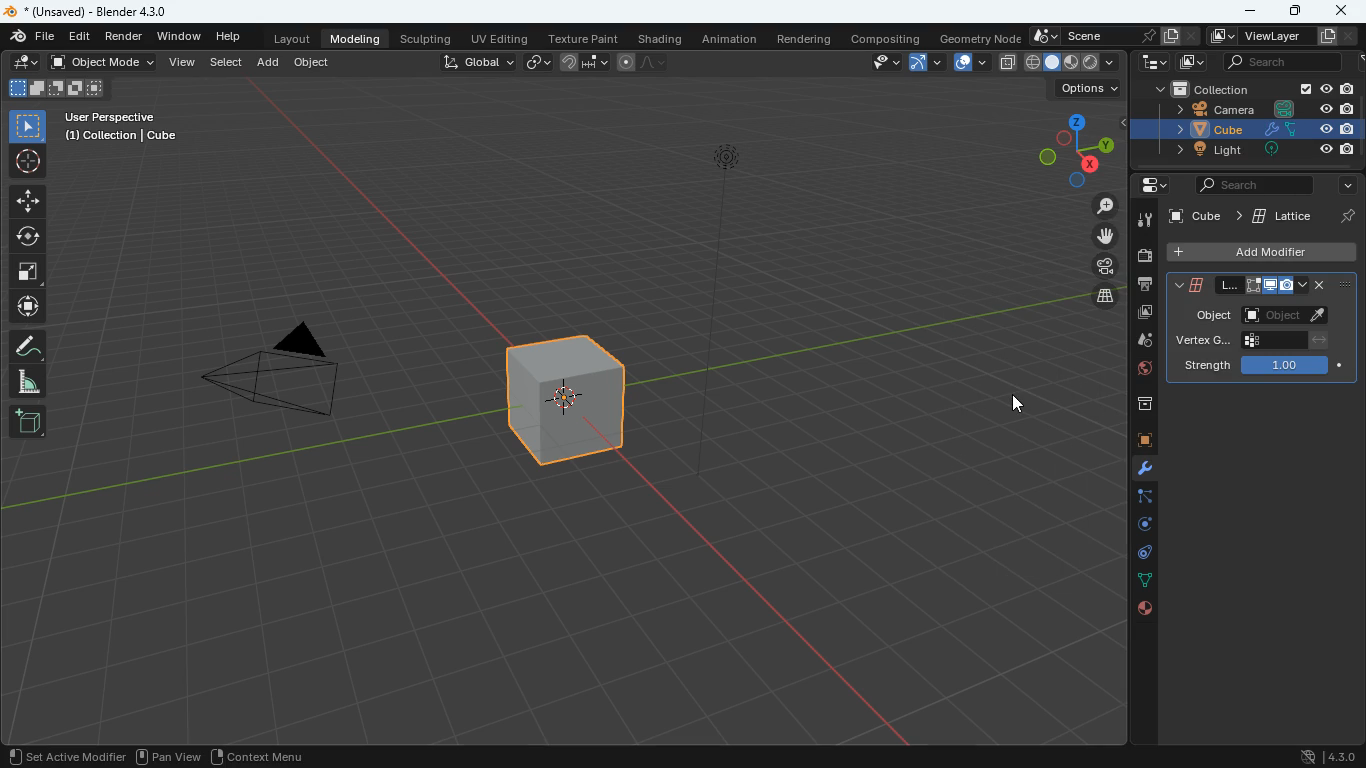 This screenshot has width=1366, height=768. What do you see at coordinates (39, 755) in the screenshot?
I see `pan view` at bounding box center [39, 755].